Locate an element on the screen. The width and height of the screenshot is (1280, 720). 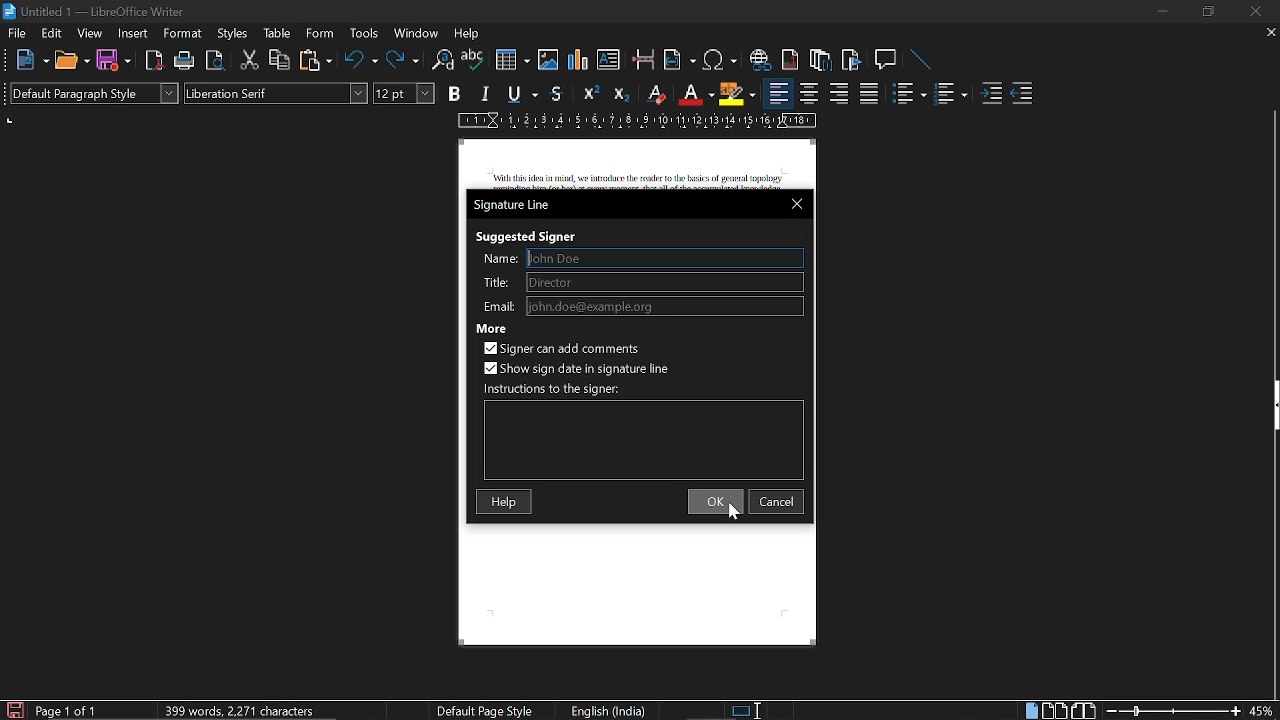
toggle ordered list is located at coordinates (953, 94).